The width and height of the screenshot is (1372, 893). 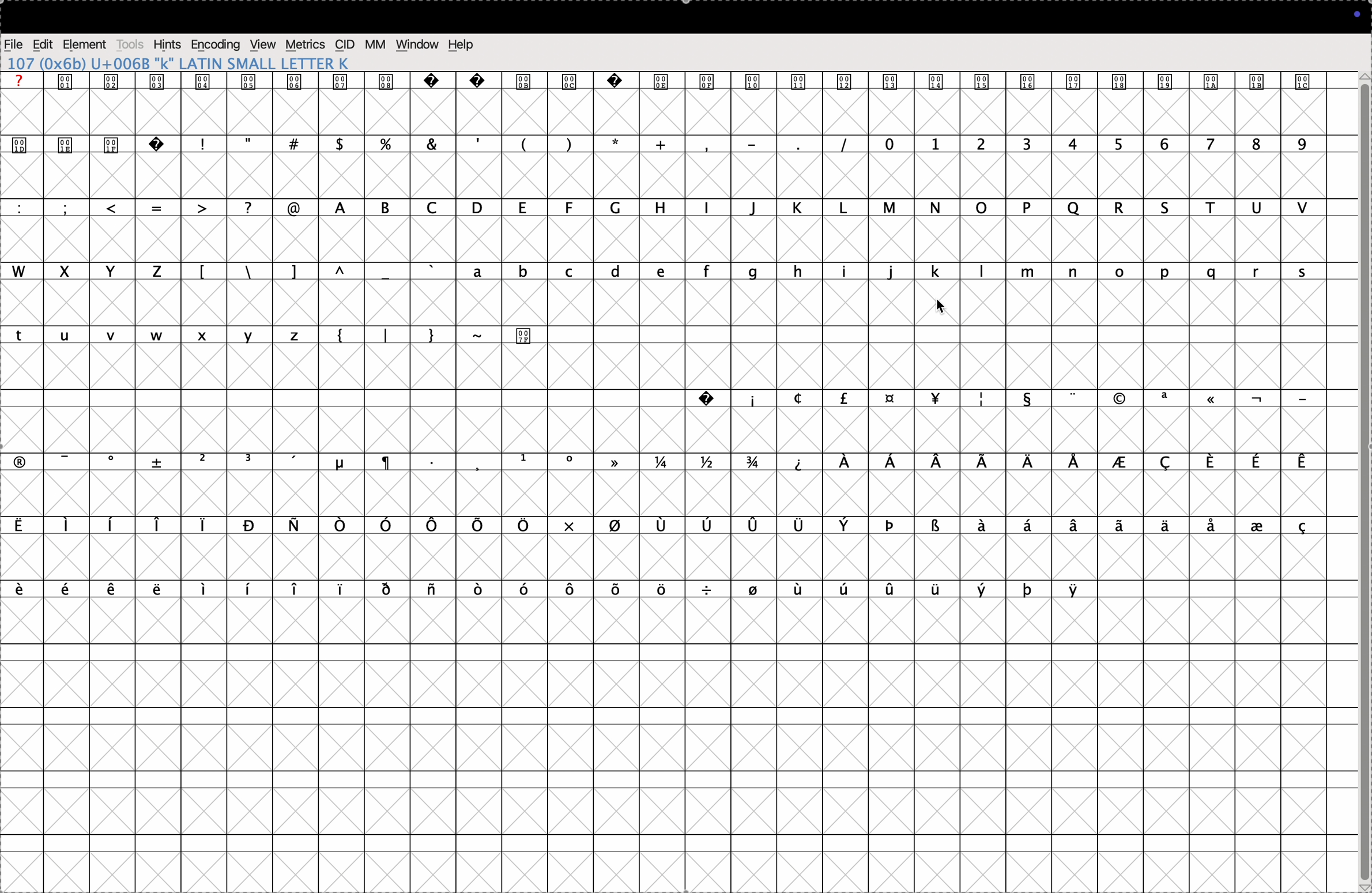 I want to click on n, so click(x=1068, y=272).